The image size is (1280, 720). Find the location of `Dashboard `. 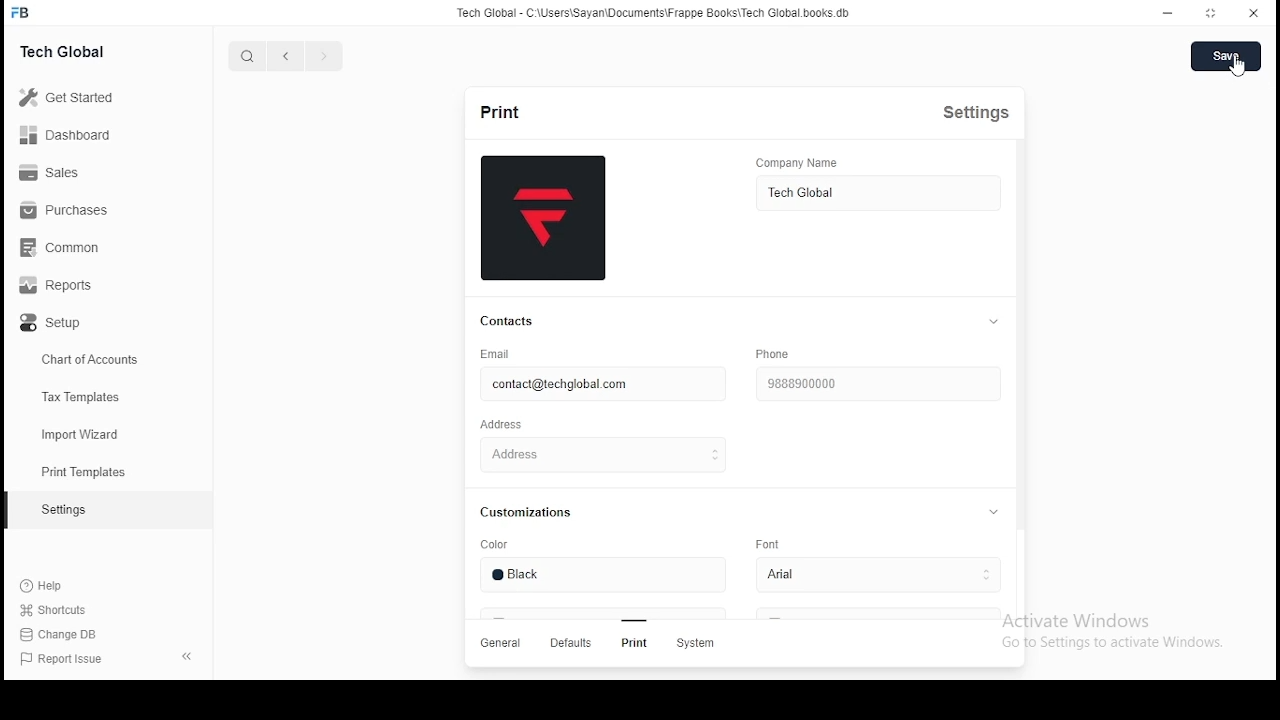

Dashboard  is located at coordinates (85, 135).